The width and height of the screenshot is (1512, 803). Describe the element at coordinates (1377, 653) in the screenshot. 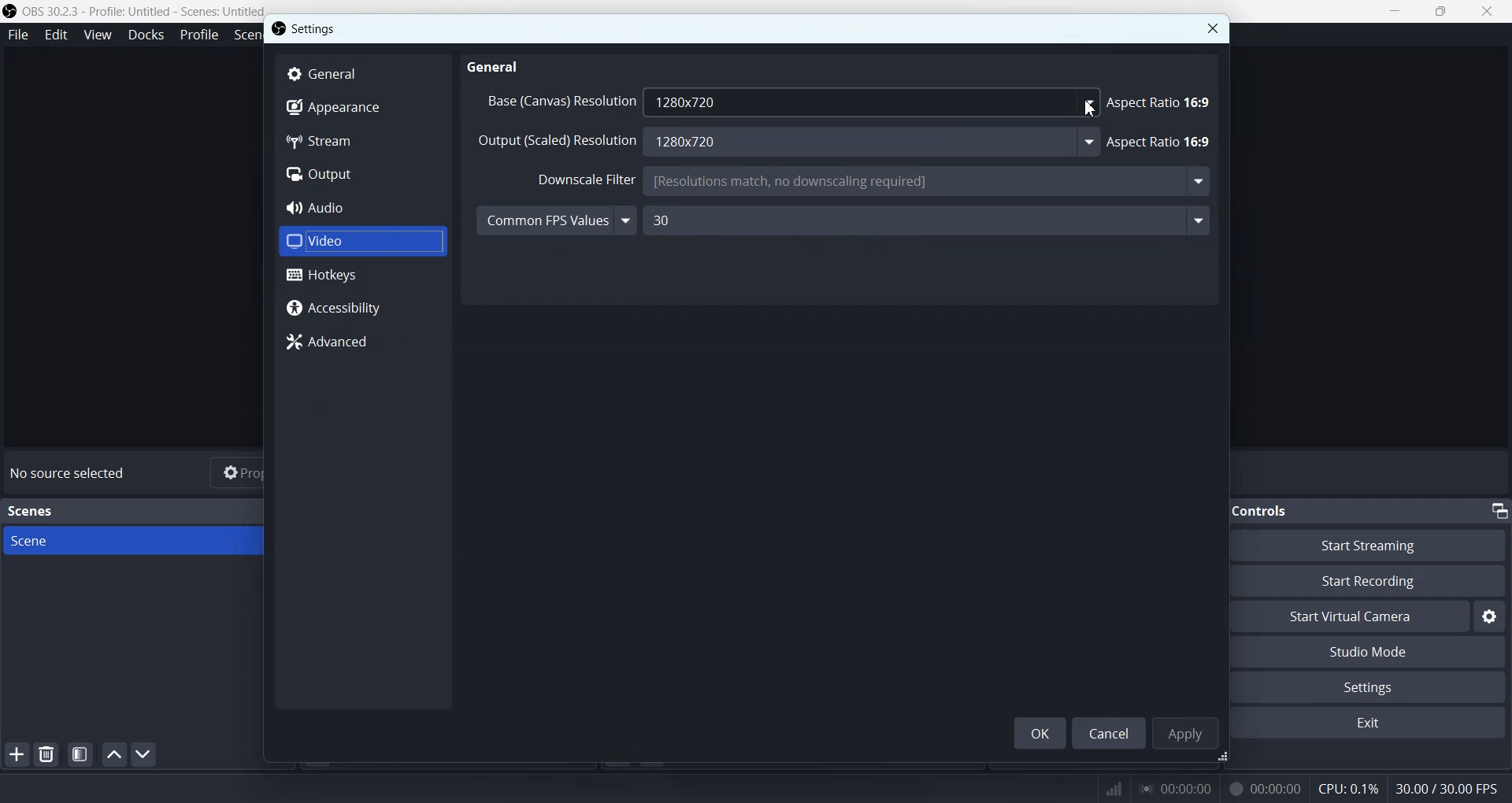

I see `Studio Mode` at that location.